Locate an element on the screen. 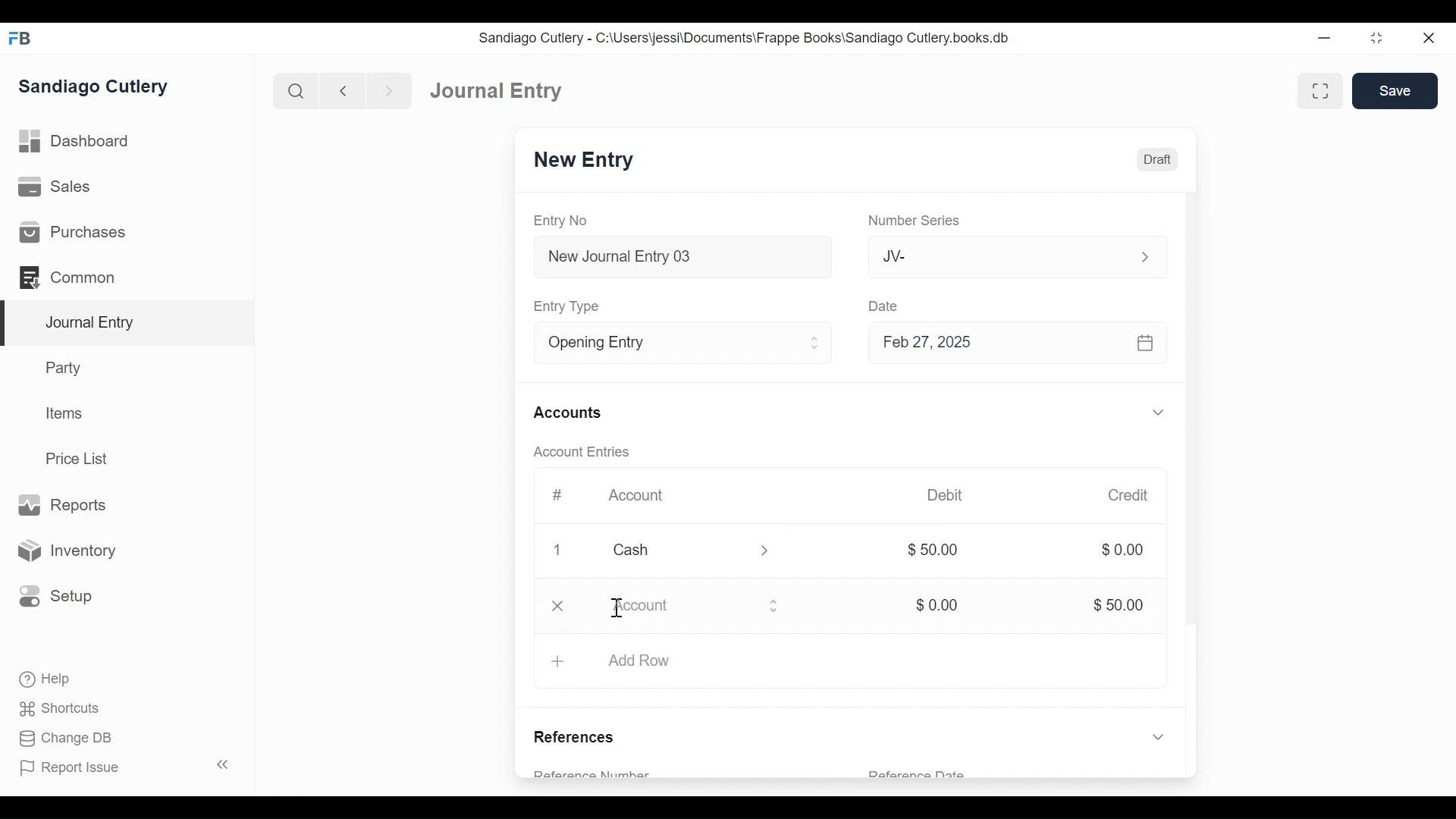  Journal Entry is located at coordinates (498, 91).